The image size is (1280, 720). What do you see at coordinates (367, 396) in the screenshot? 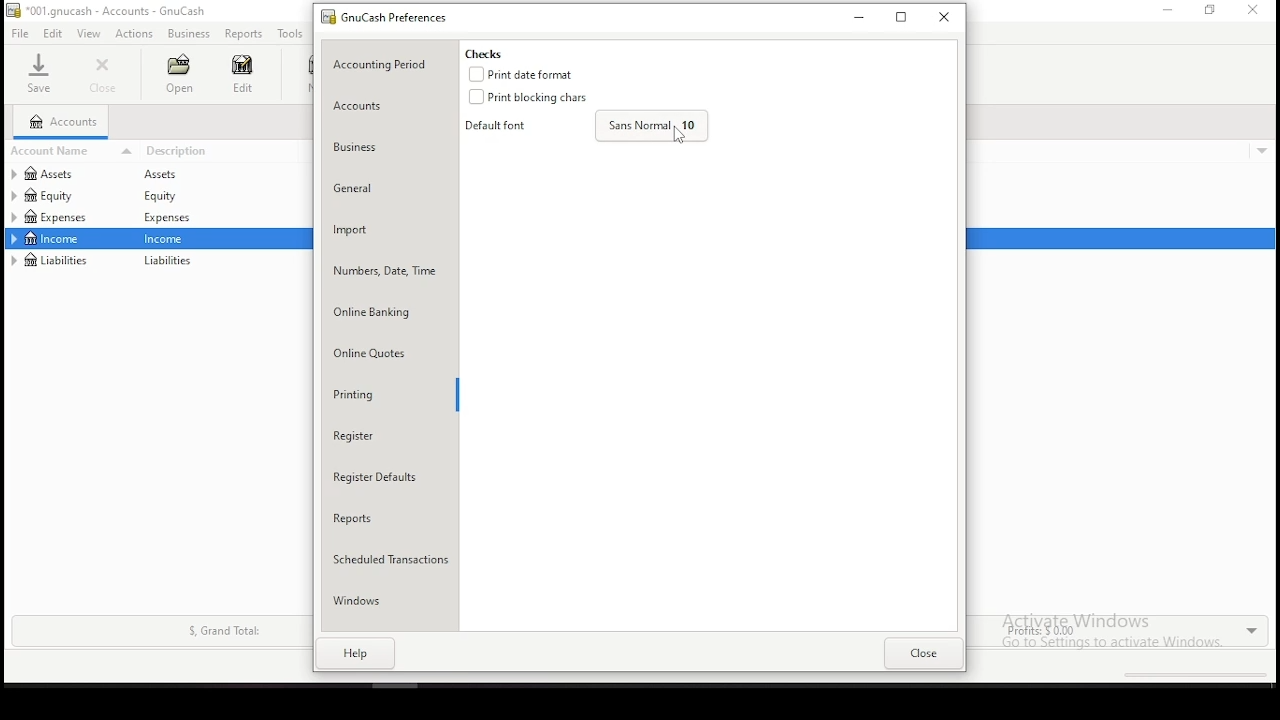
I see `printing` at bounding box center [367, 396].